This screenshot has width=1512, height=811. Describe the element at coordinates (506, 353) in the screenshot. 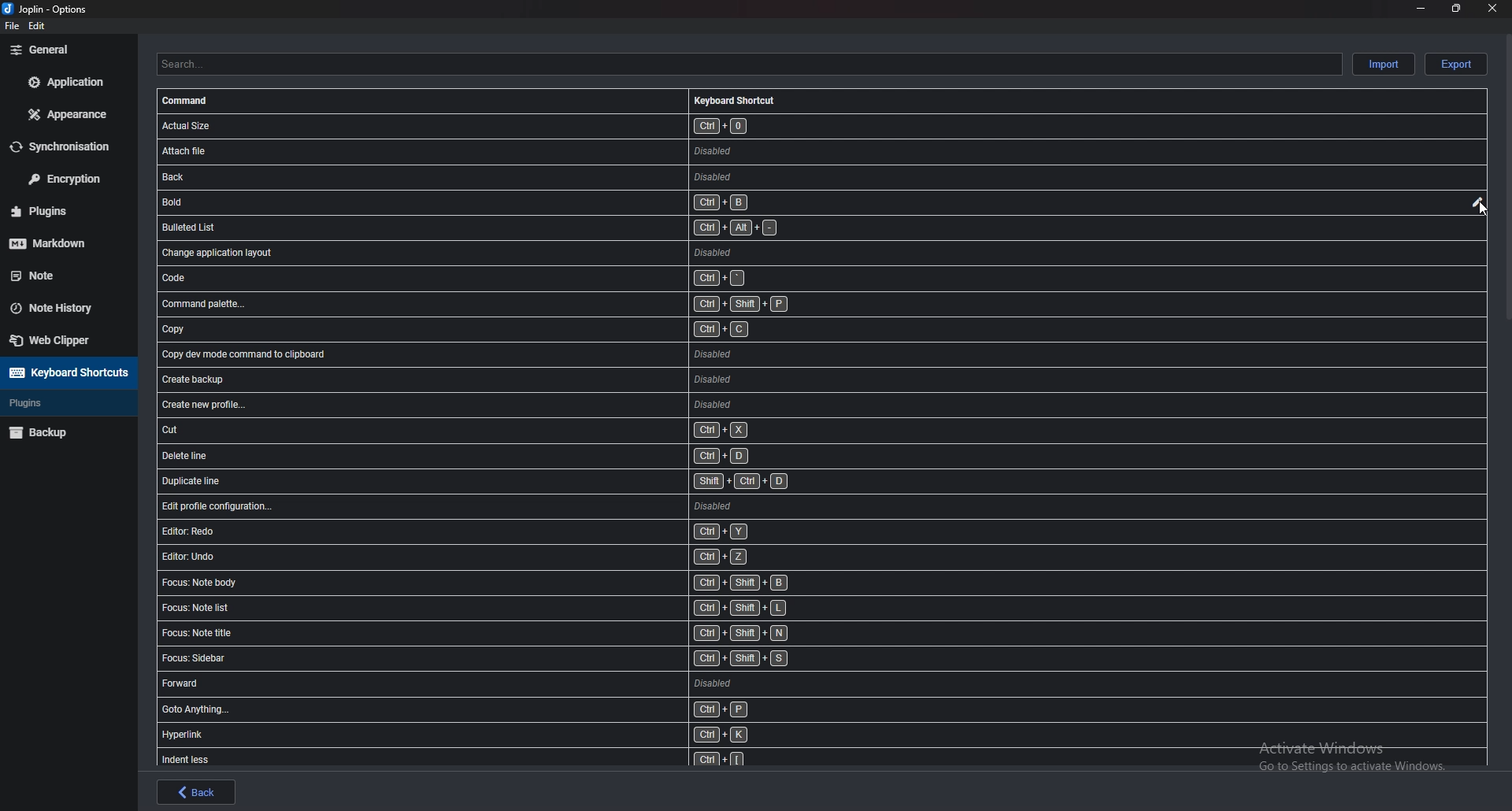

I see `shortcut` at that location.